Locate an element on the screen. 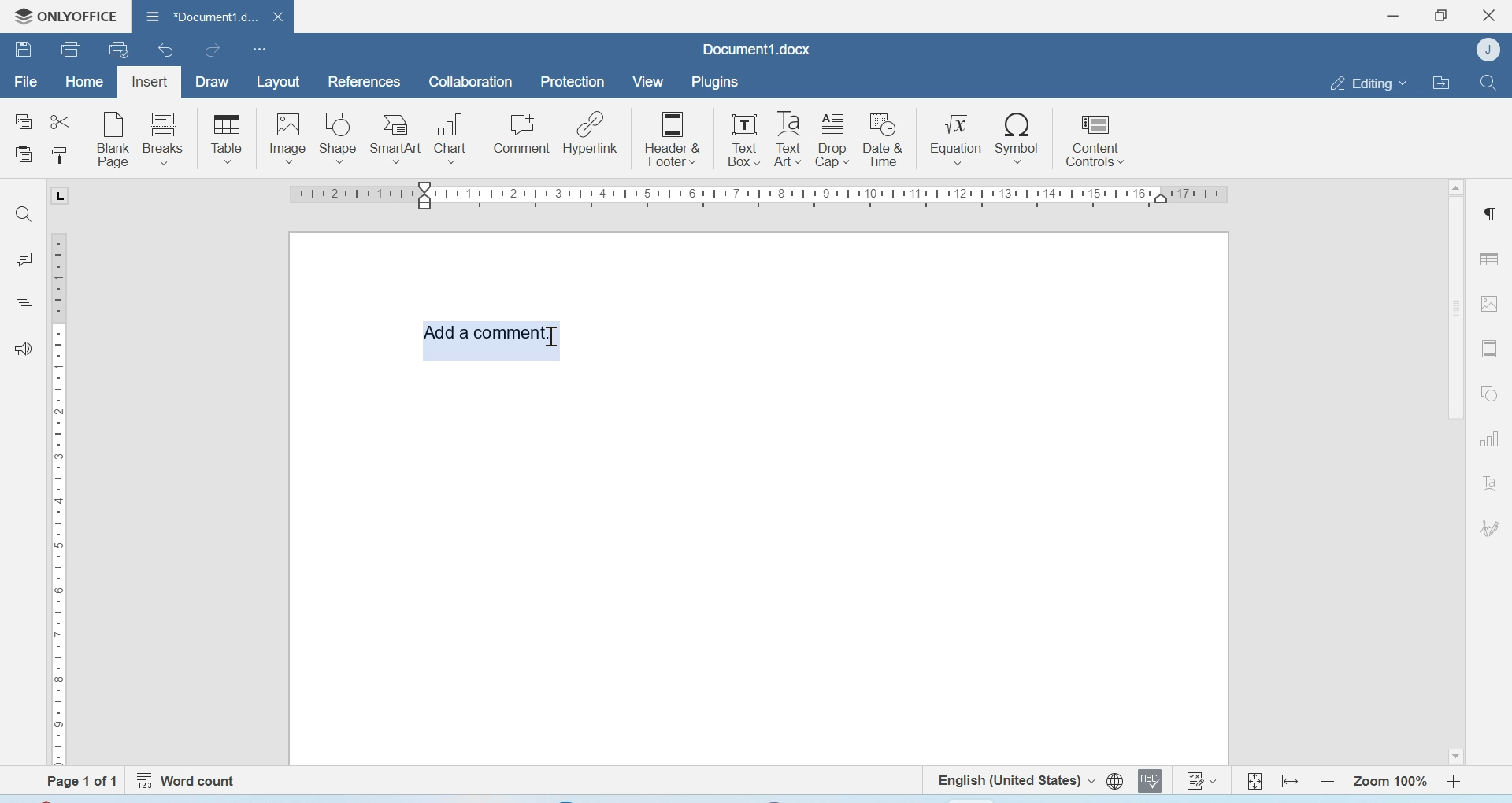  Undo is located at coordinates (168, 50).